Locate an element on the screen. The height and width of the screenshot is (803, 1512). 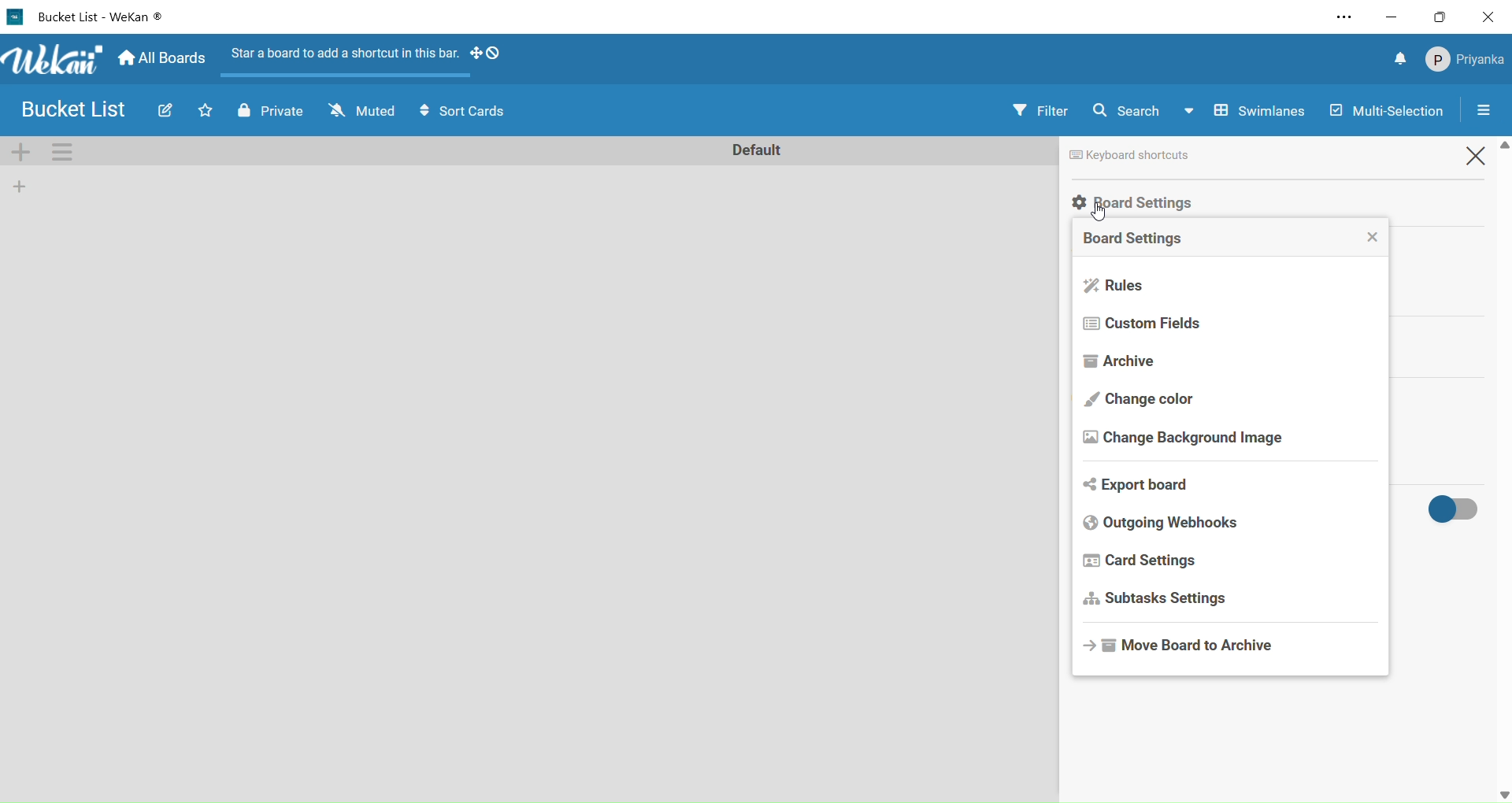
close is located at coordinates (1490, 17).